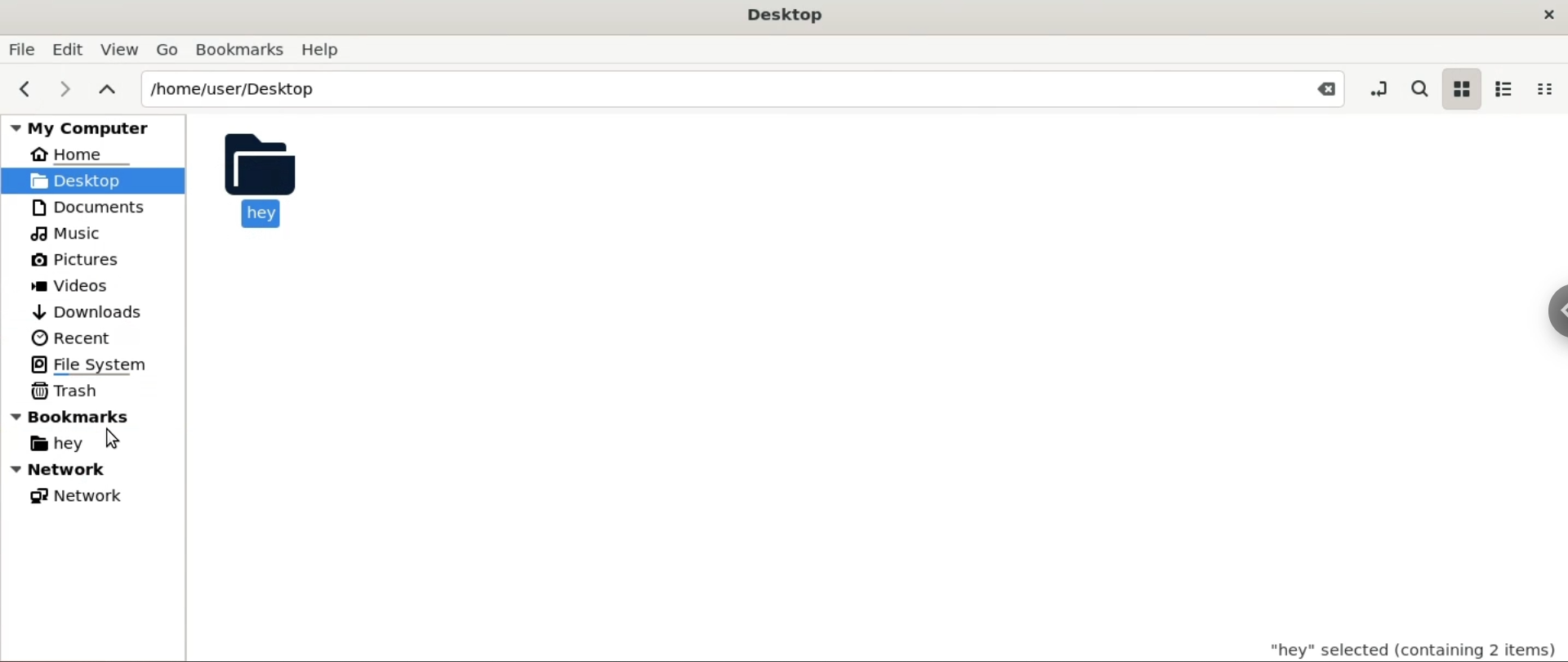 This screenshot has width=1568, height=662. I want to click on toggle location entry, so click(1374, 89).